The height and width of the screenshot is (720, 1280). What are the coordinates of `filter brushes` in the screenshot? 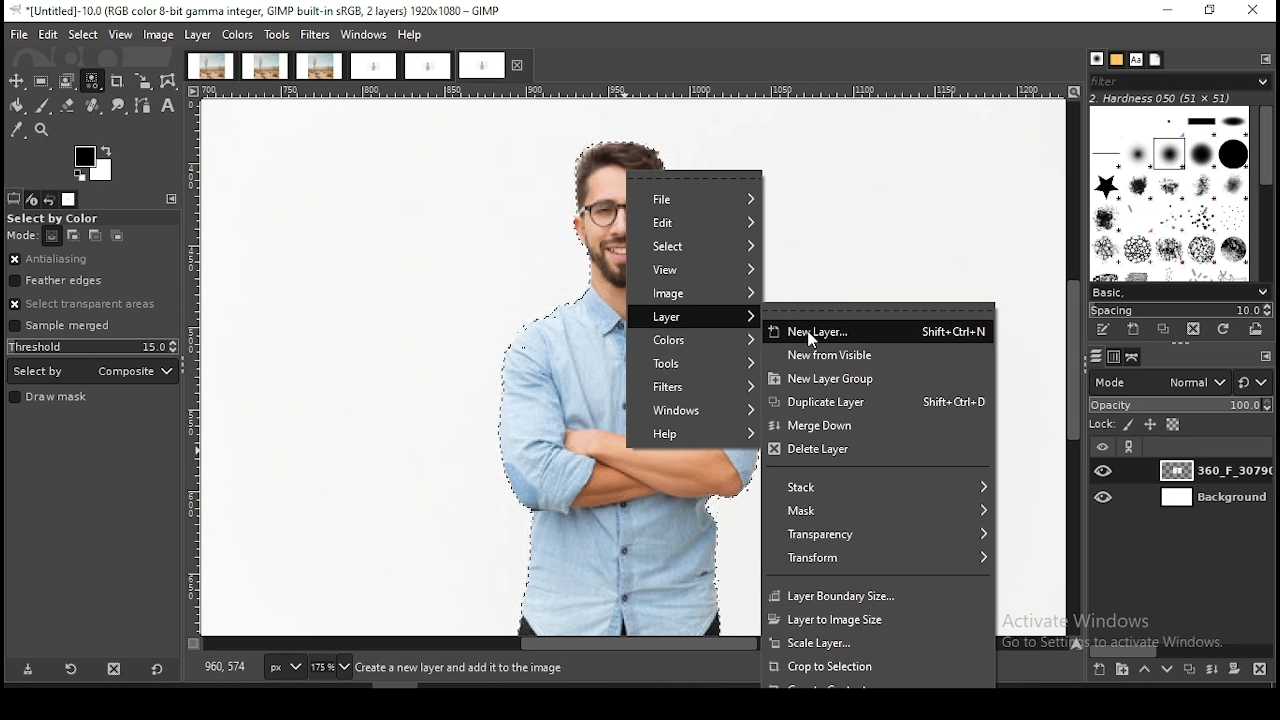 It's located at (1180, 82).